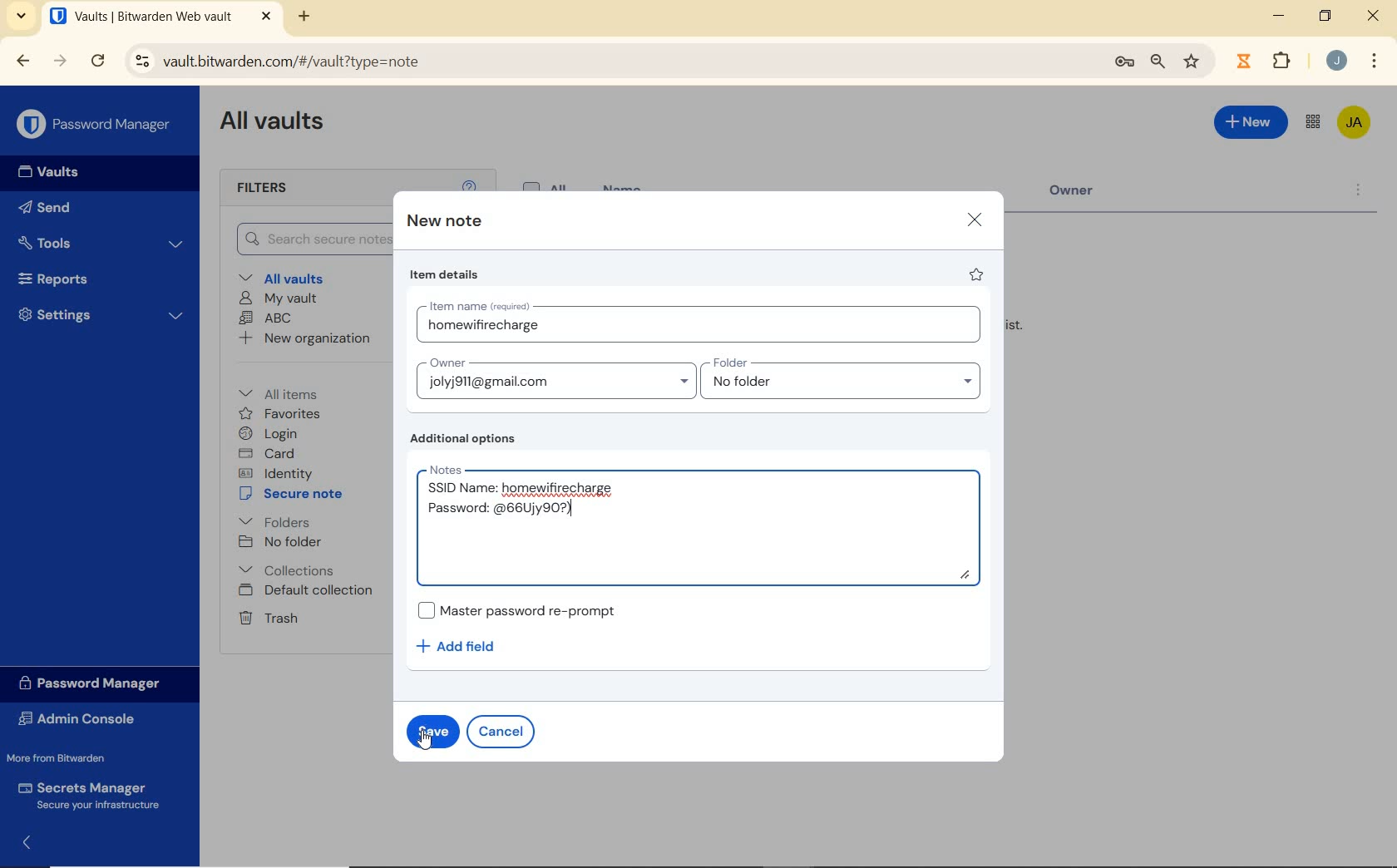  I want to click on All vaults, so click(284, 277).